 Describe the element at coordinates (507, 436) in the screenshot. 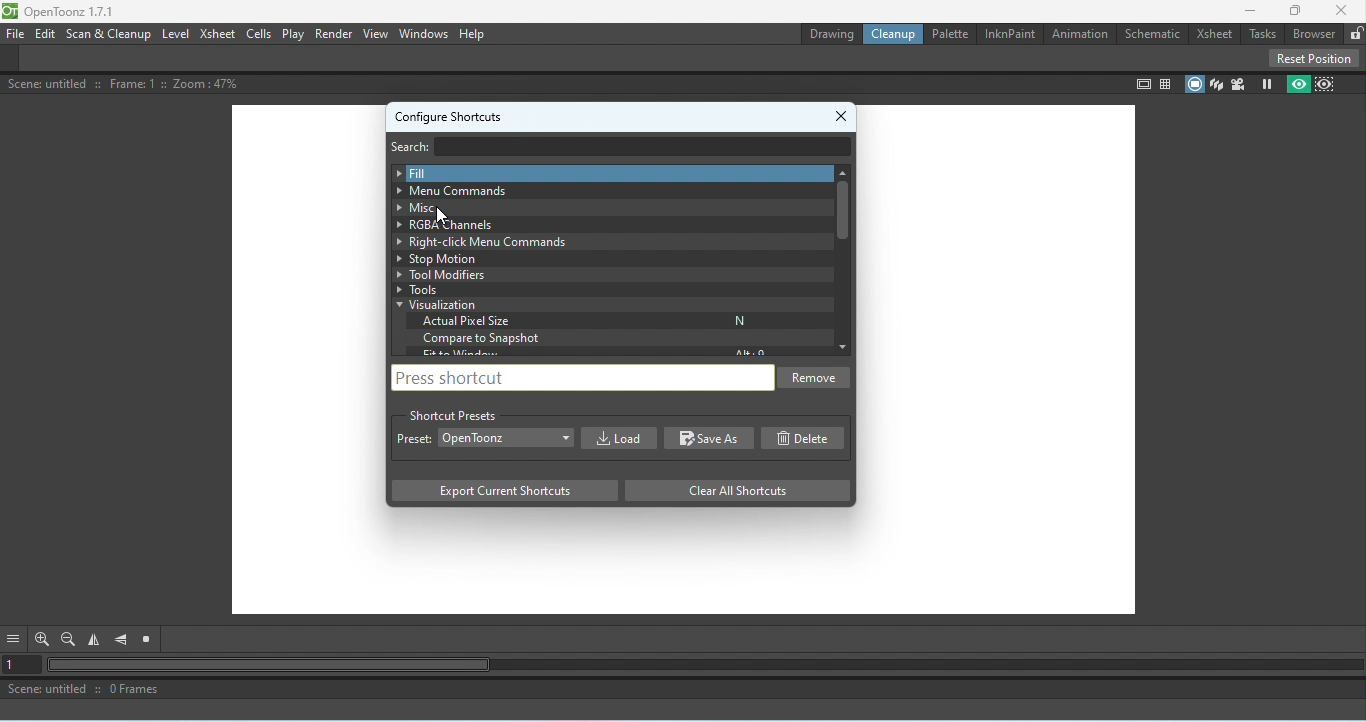

I see `Drop down menu` at that location.